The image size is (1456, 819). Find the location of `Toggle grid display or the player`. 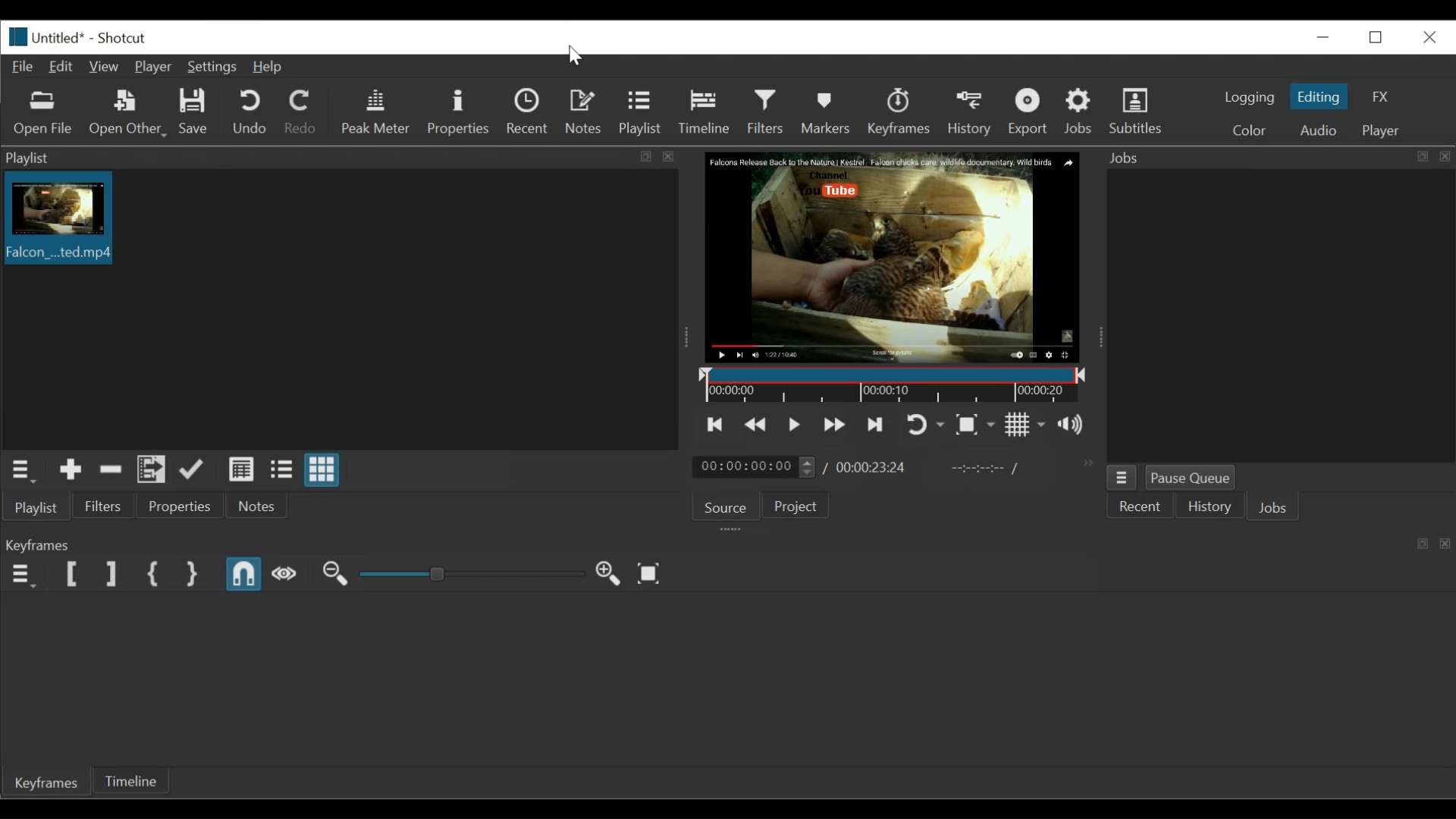

Toggle grid display or the player is located at coordinates (1028, 425).